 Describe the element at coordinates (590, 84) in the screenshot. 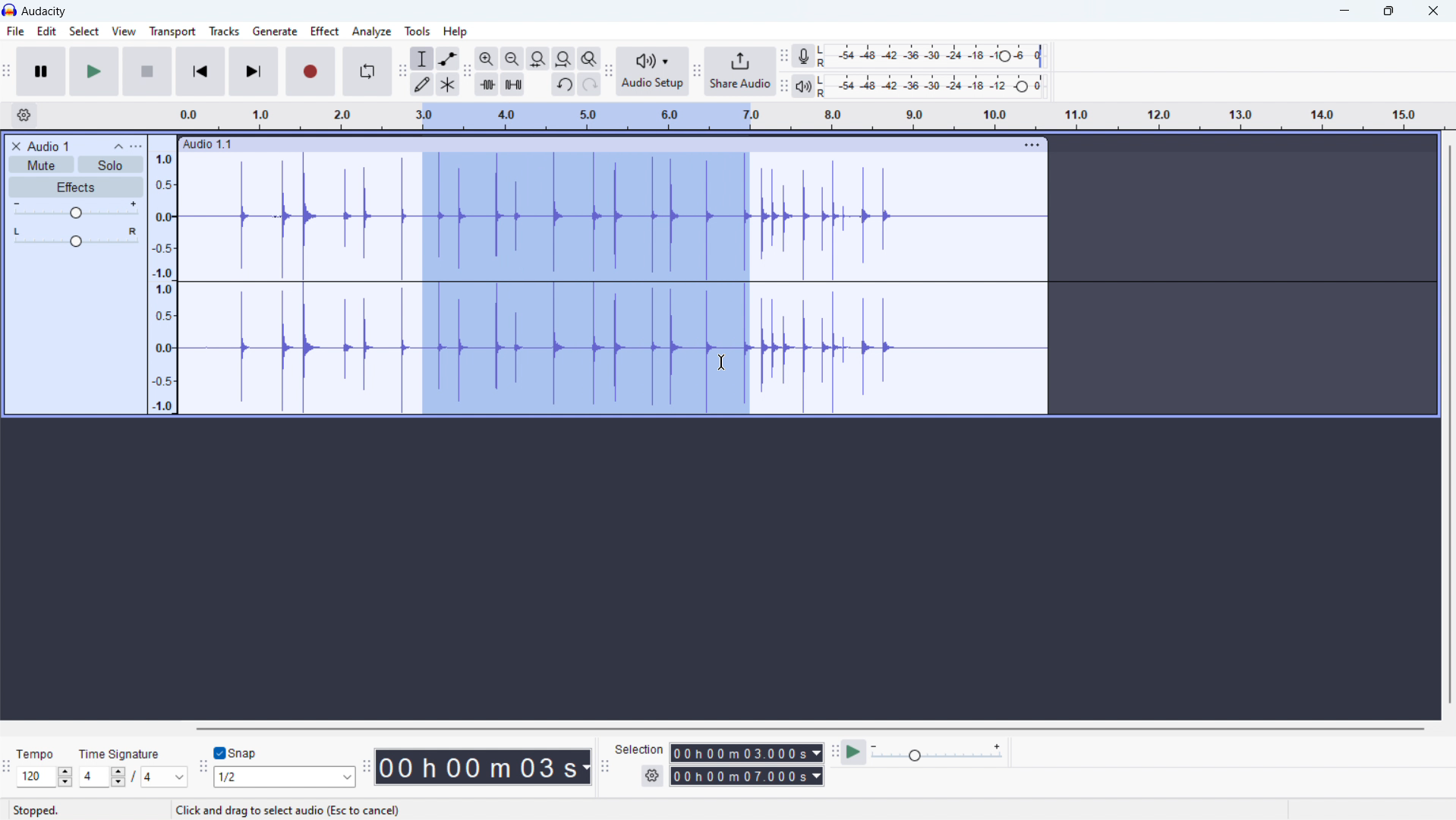

I see `redo` at that location.